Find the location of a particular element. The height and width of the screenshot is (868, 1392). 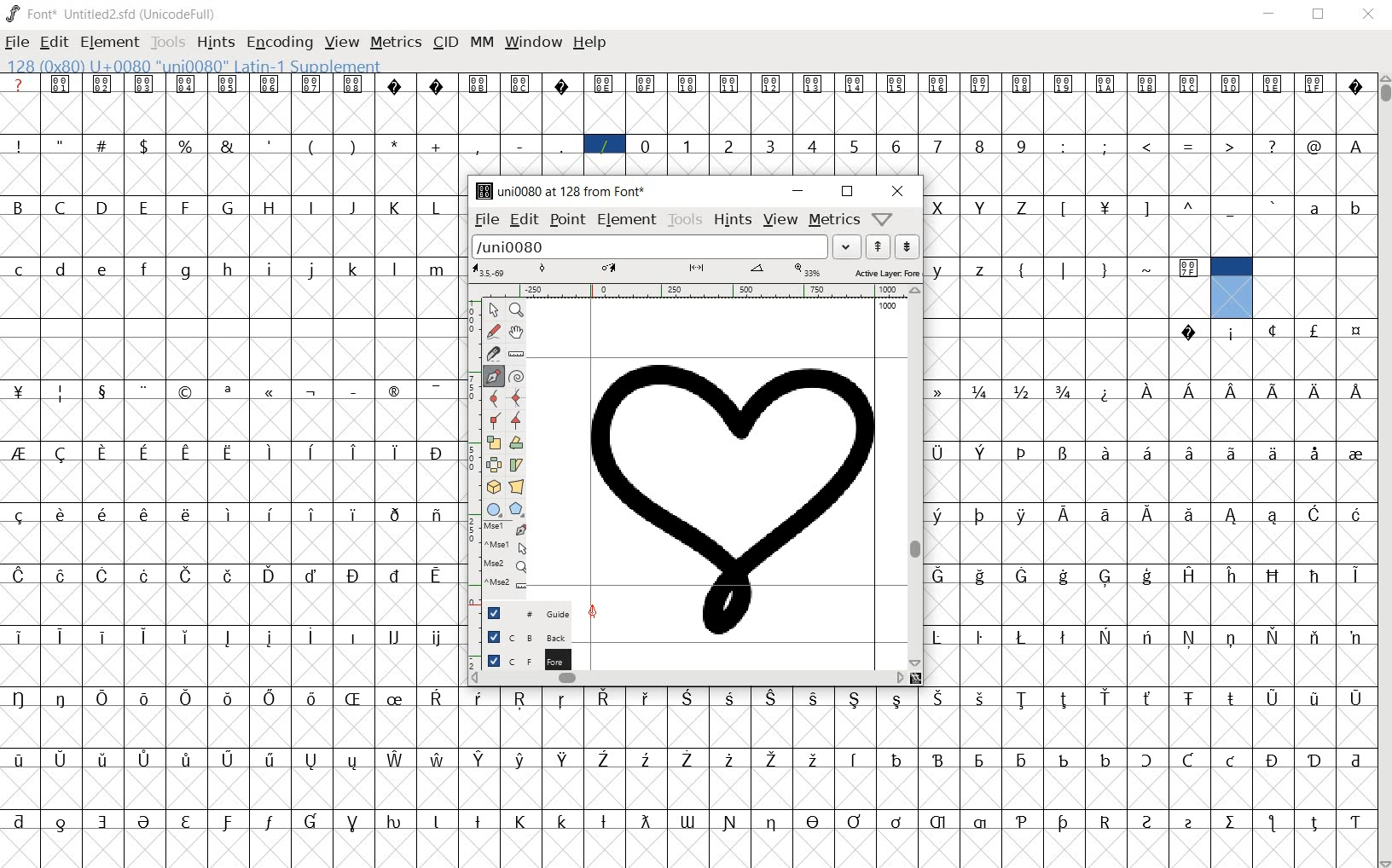

glyph is located at coordinates (519, 822).